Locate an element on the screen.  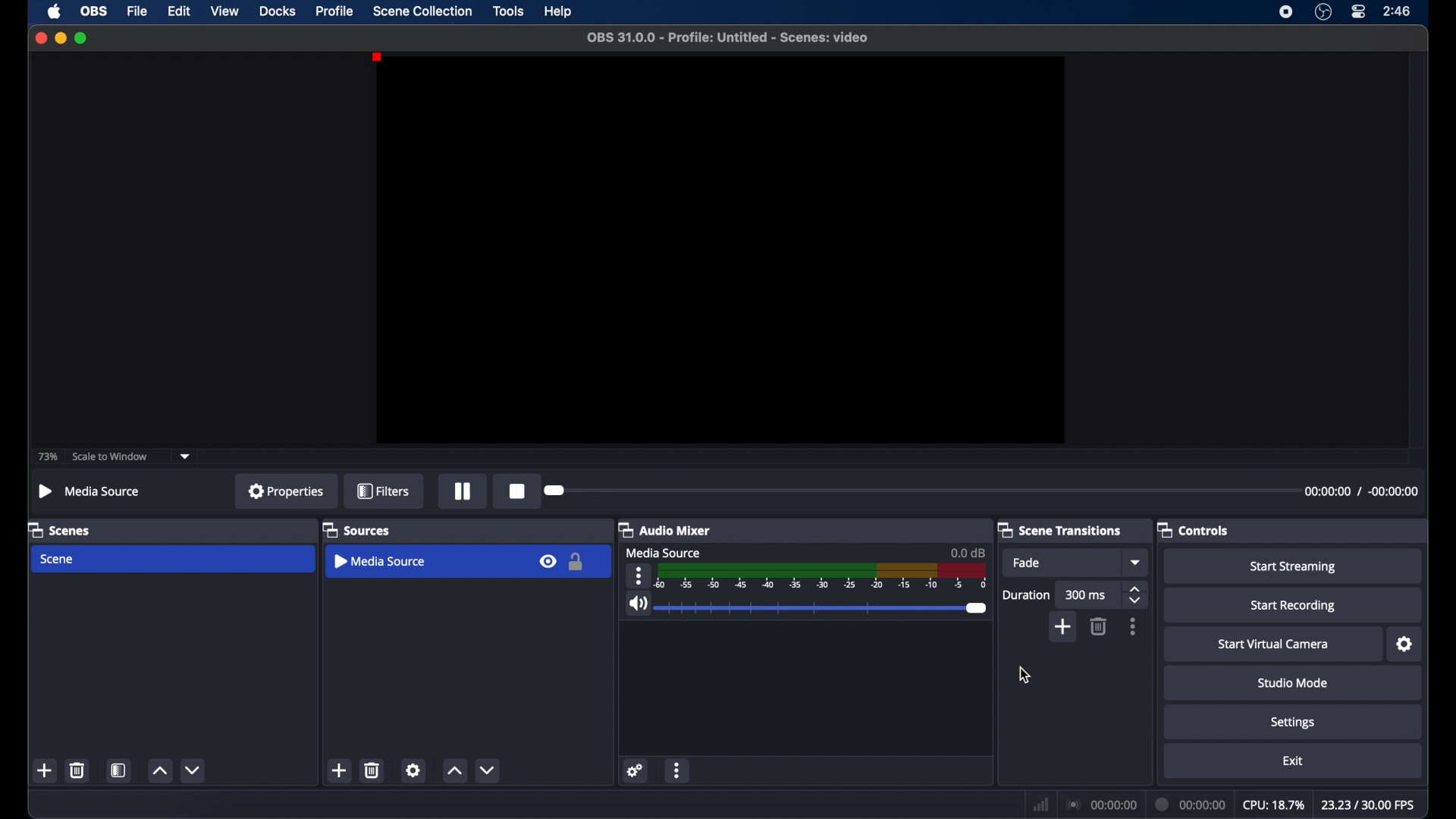
Add is located at coordinates (1065, 628).